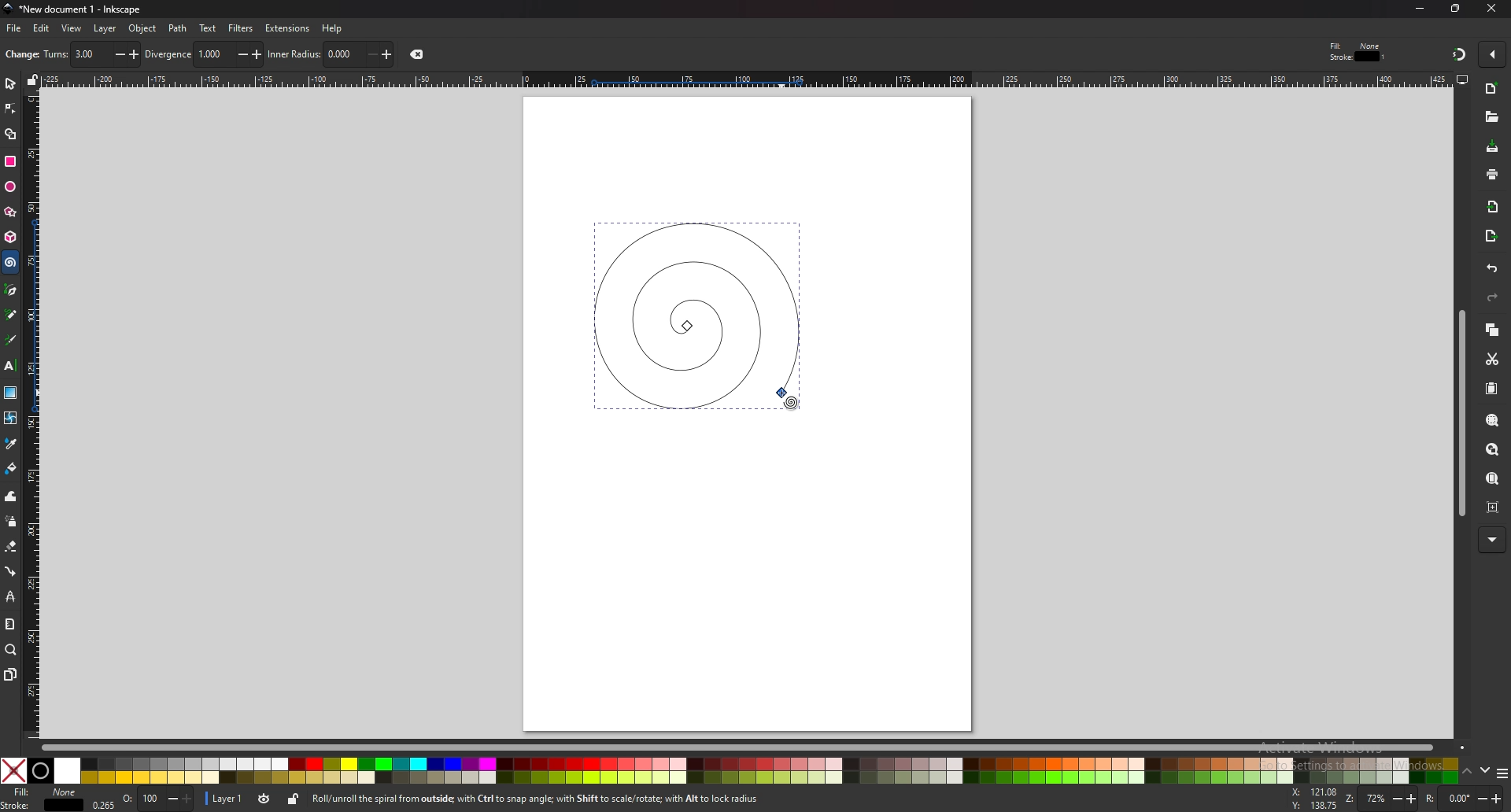  What do you see at coordinates (1490, 236) in the screenshot?
I see `export` at bounding box center [1490, 236].